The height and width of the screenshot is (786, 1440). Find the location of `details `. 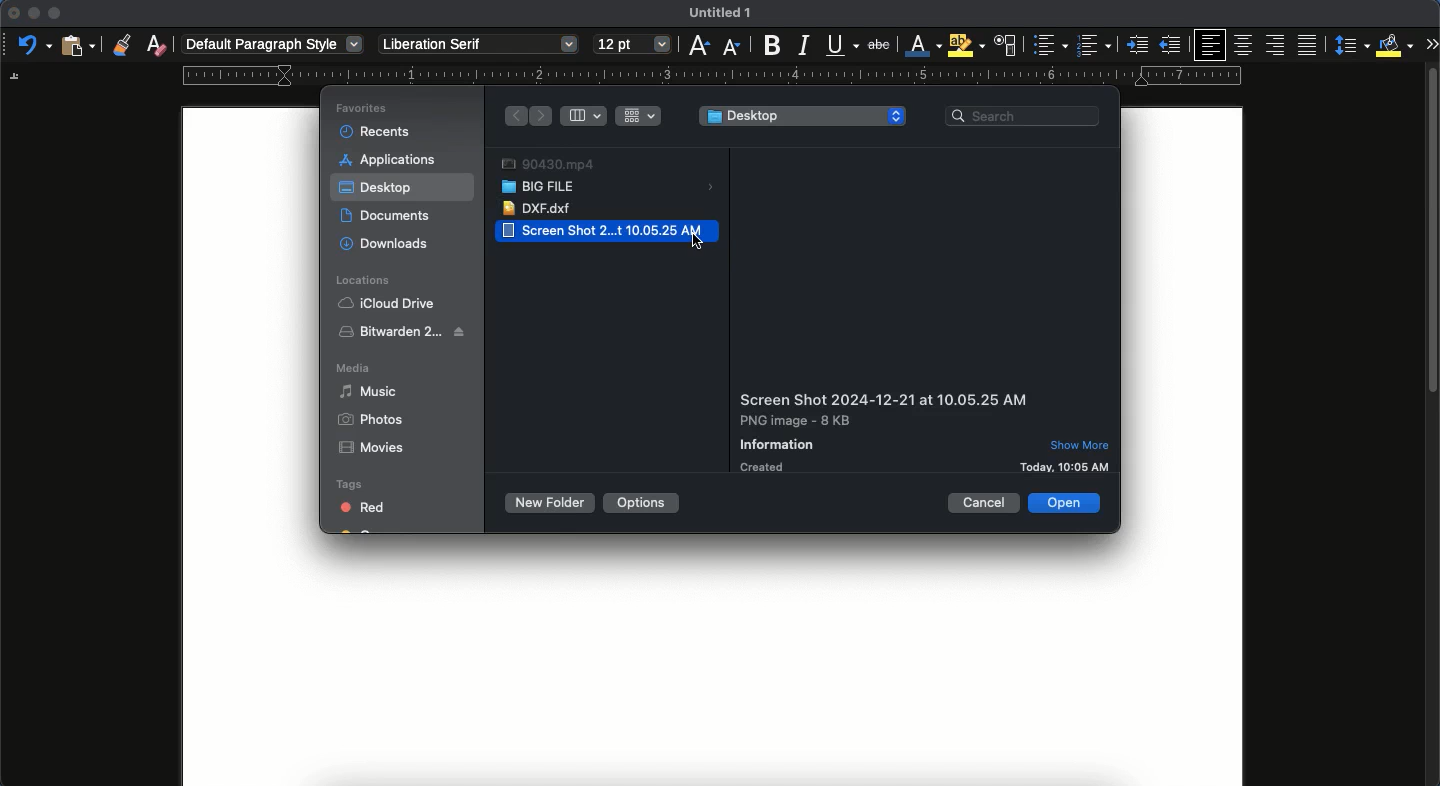

details  is located at coordinates (1068, 466).